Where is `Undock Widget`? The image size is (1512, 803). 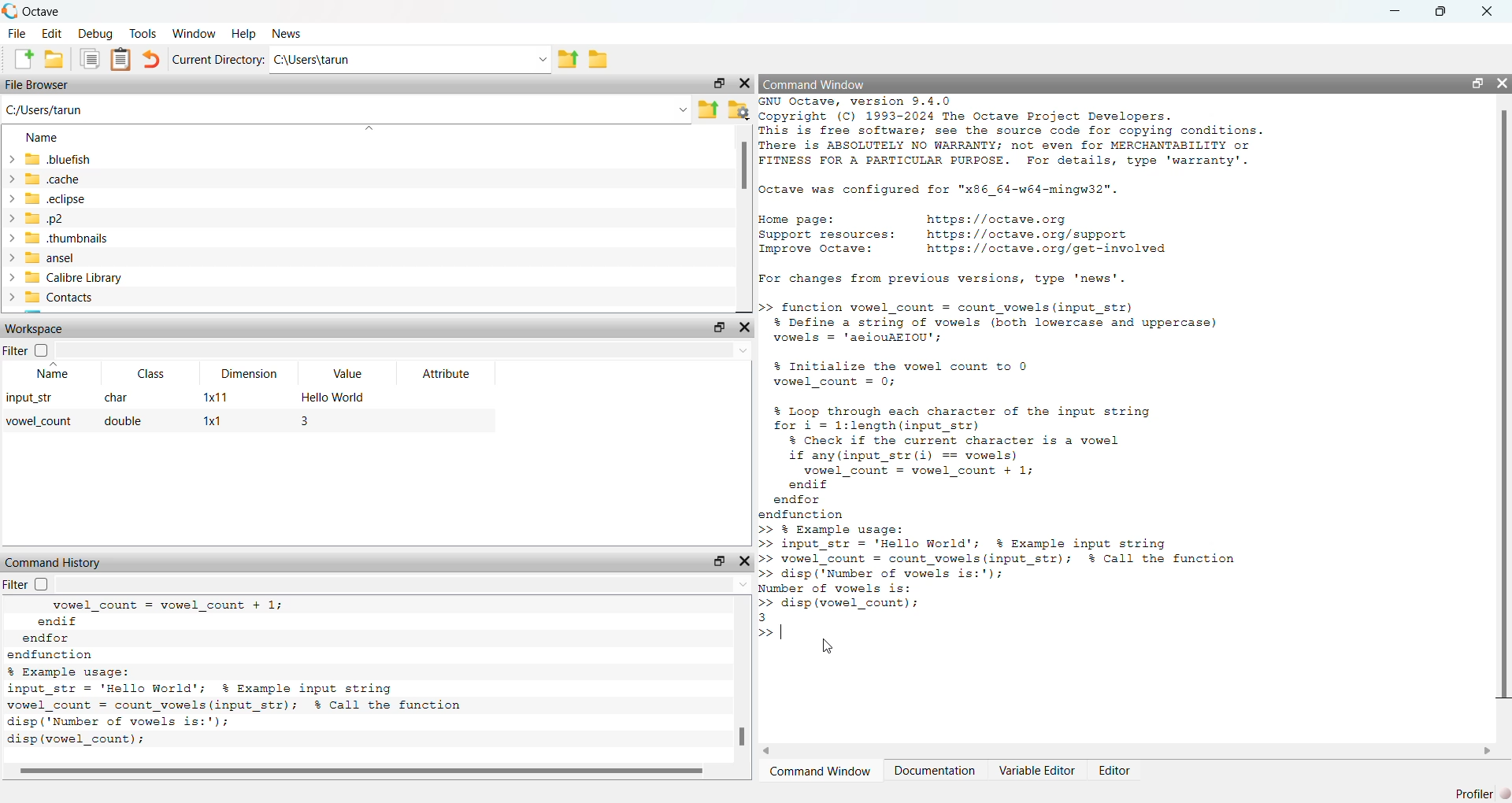
Undock Widget is located at coordinates (718, 561).